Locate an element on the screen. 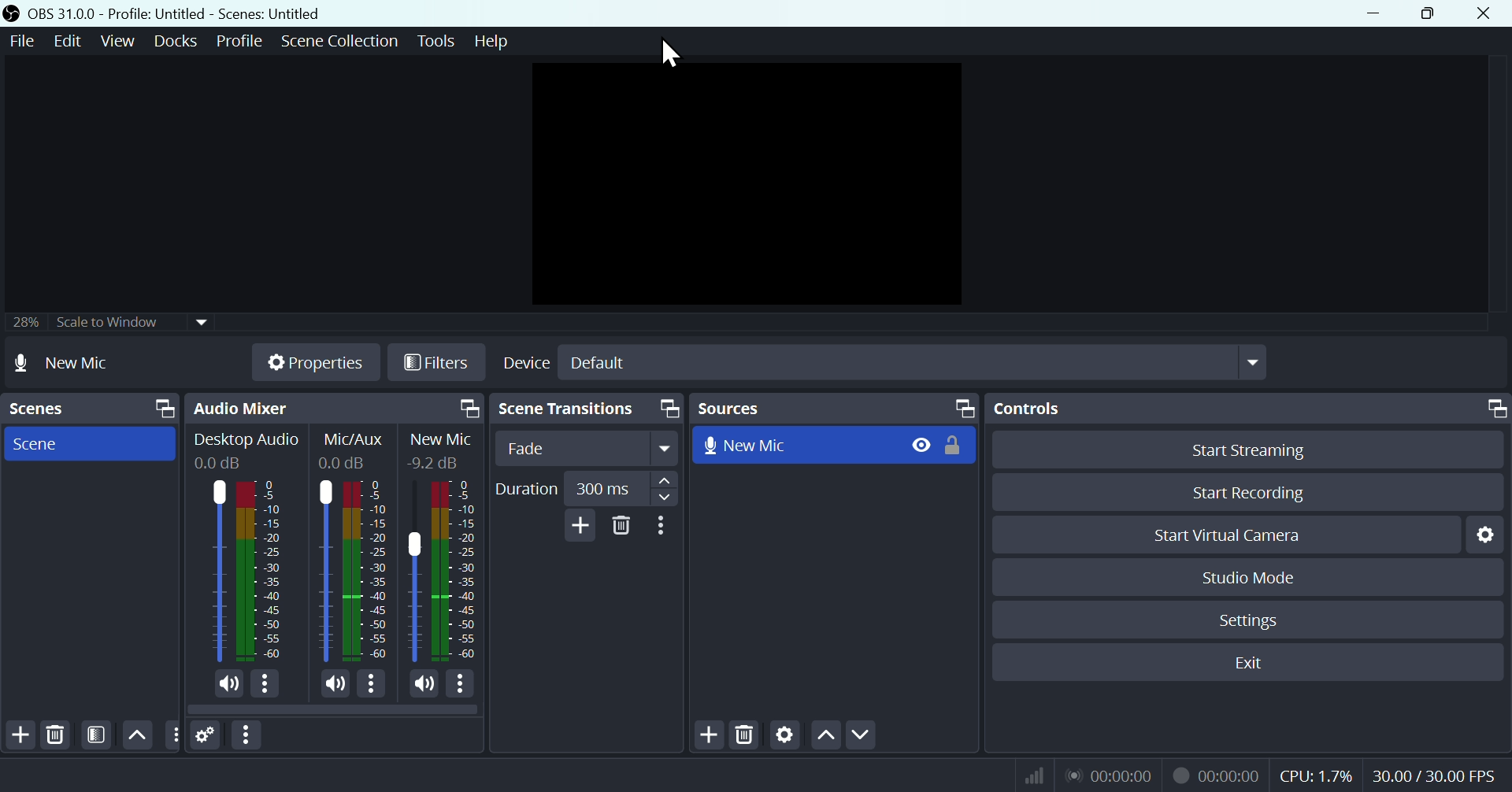 The width and height of the screenshot is (1512, 792). Mic/Aux is located at coordinates (324, 570).